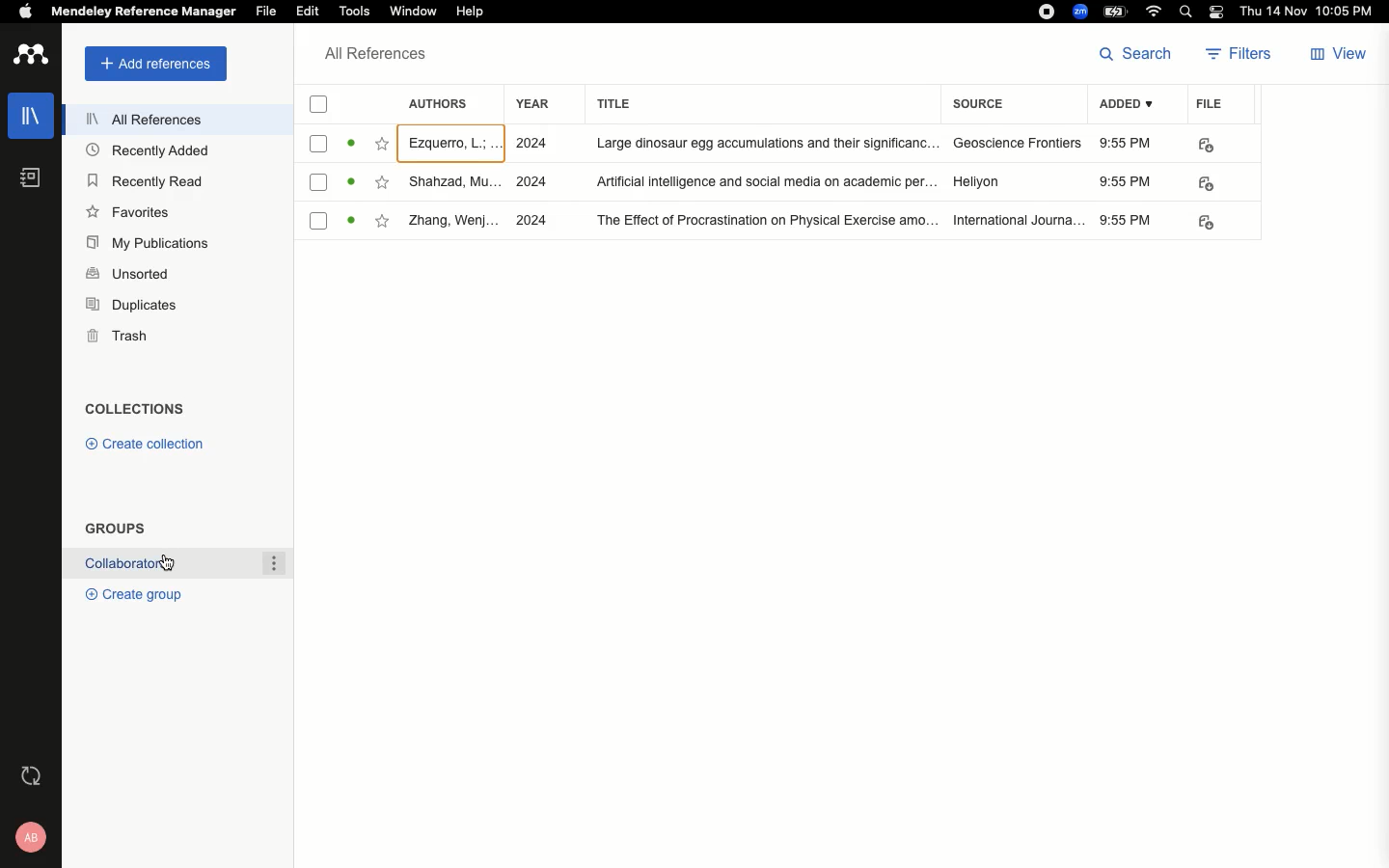 The height and width of the screenshot is (868, 1389). What do you see at coordinates (541, 106) in the screenshot?
I see `Year` at bounding box center [541, 106].